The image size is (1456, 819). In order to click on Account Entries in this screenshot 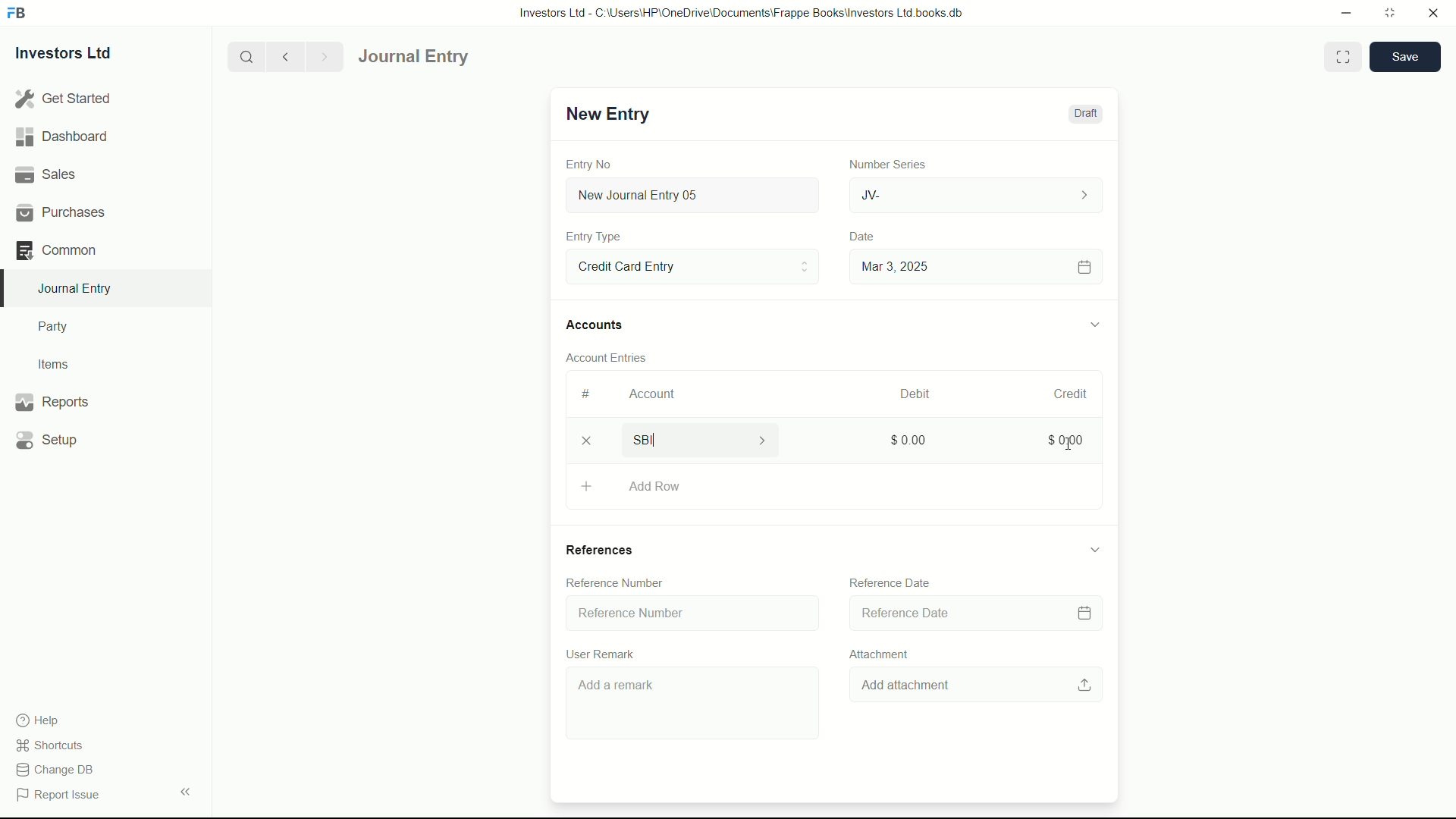, I will do `click(613, 355)`.